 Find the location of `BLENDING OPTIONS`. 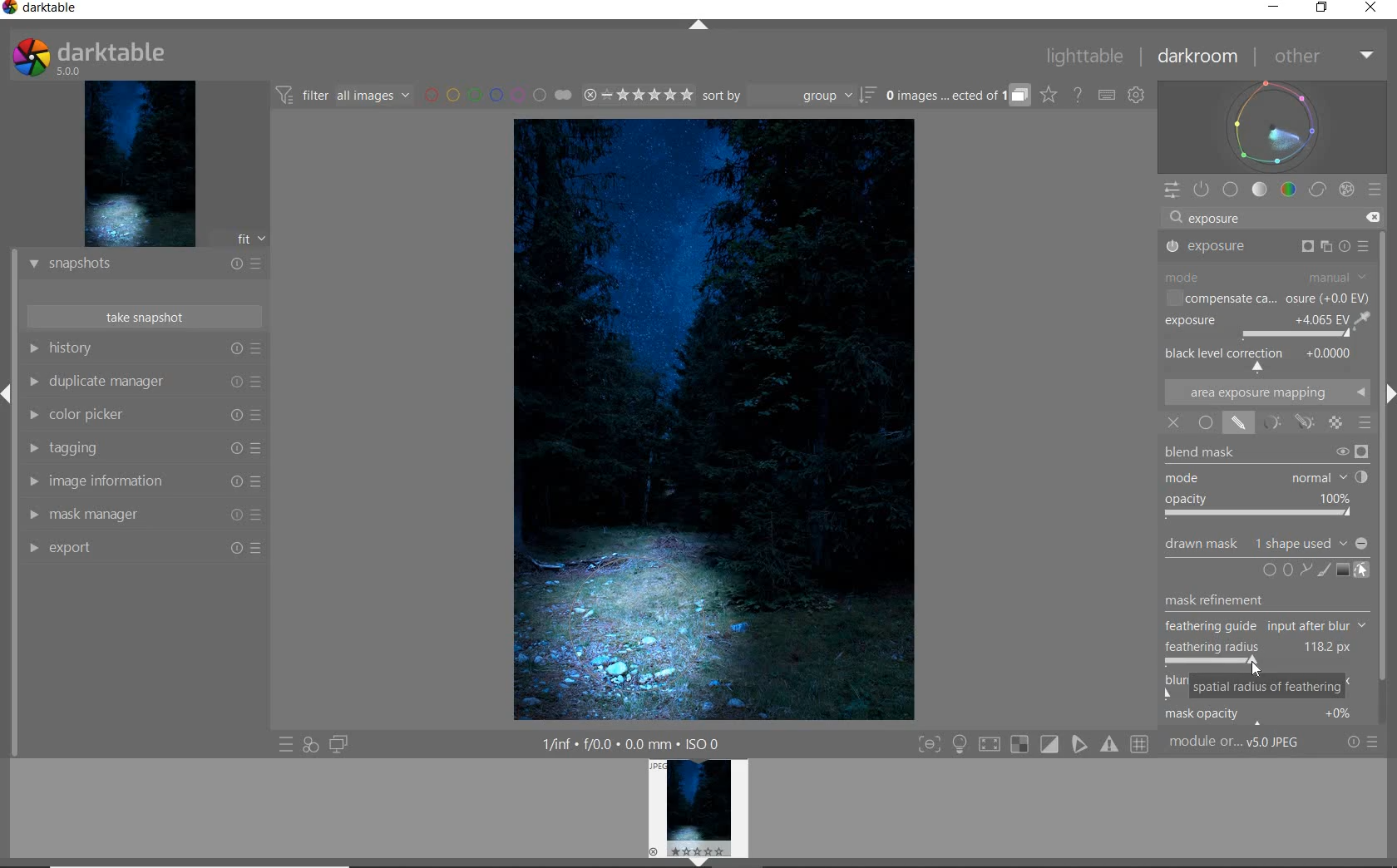

BLENDING OPTIONS is located at coordinates (1365, 423).